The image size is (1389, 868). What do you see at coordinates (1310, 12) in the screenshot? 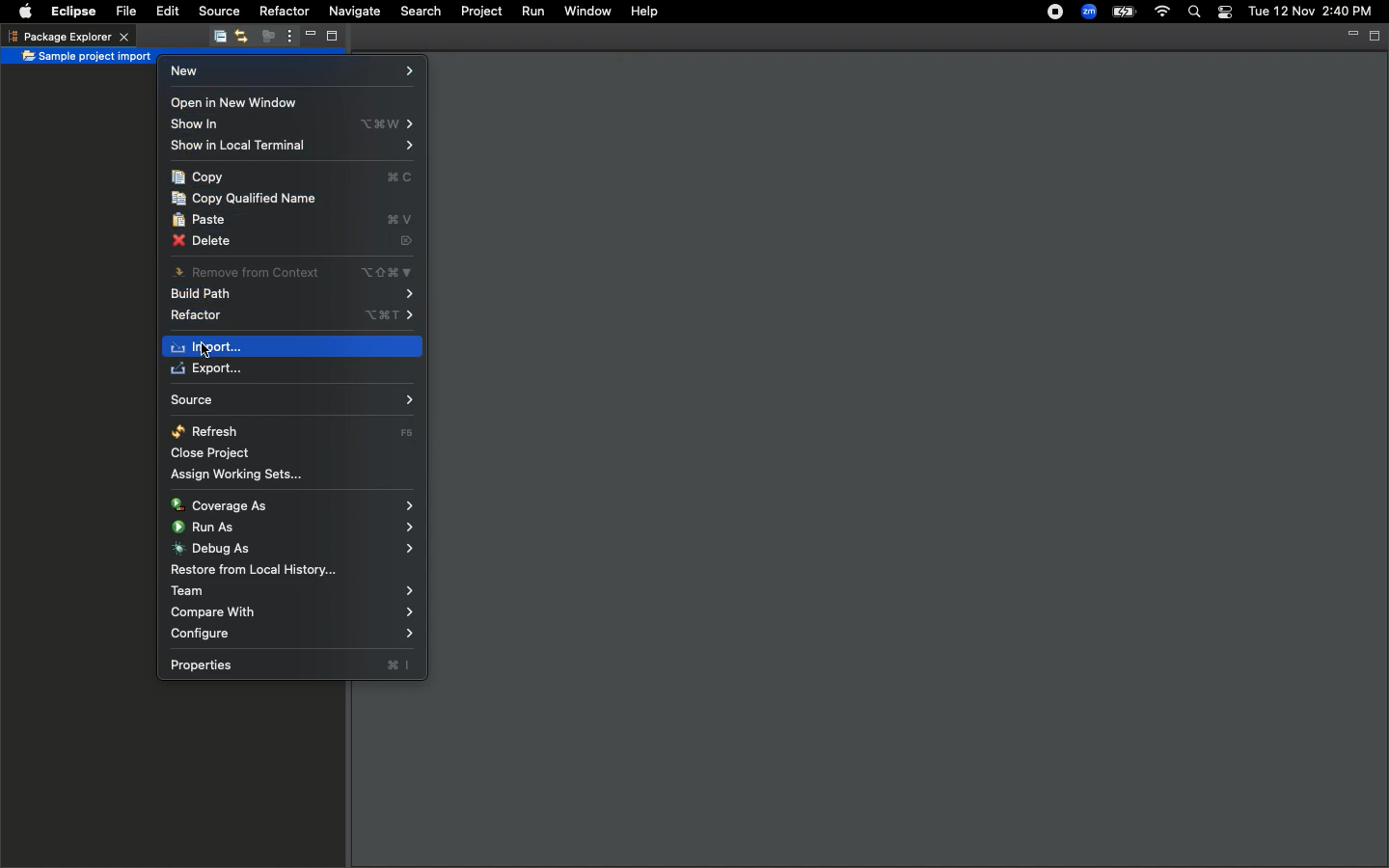
I see `Tue 12 Nov 2:40 PM` at bounding box center [1310, 12].